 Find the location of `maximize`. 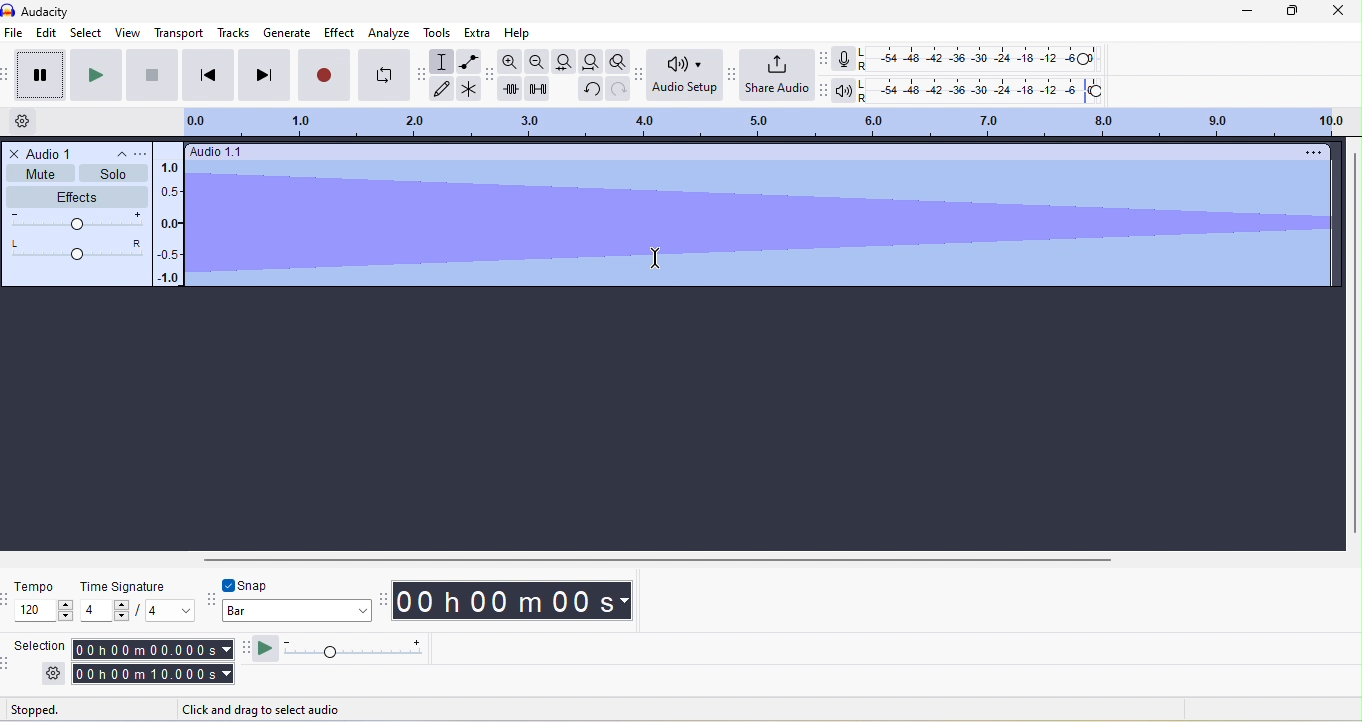

maximize is located at coordinates (1299, 11).